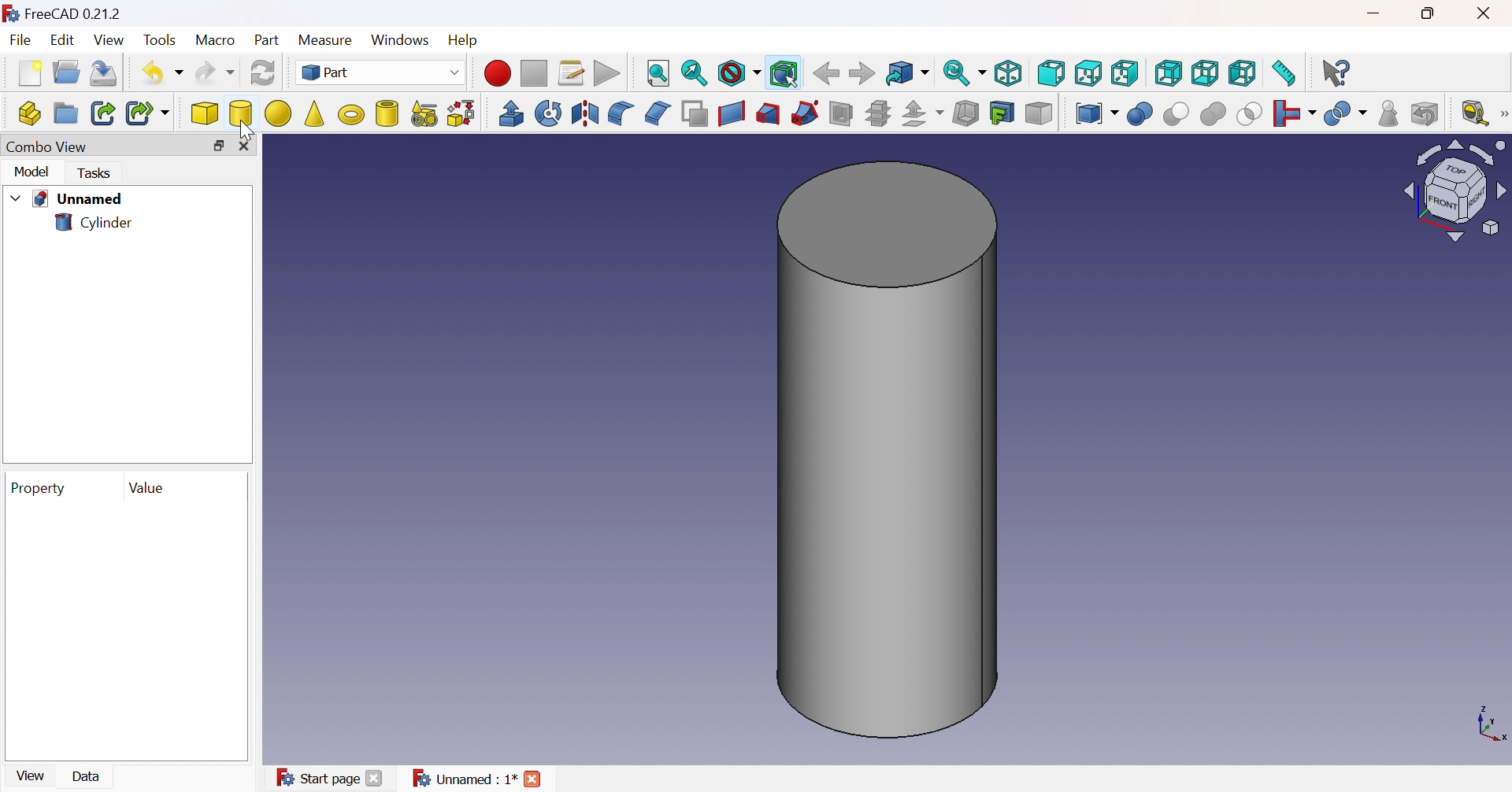 The height and width of the screenshot is (792, 1512). I want to click on Cone, so click(314, 116).